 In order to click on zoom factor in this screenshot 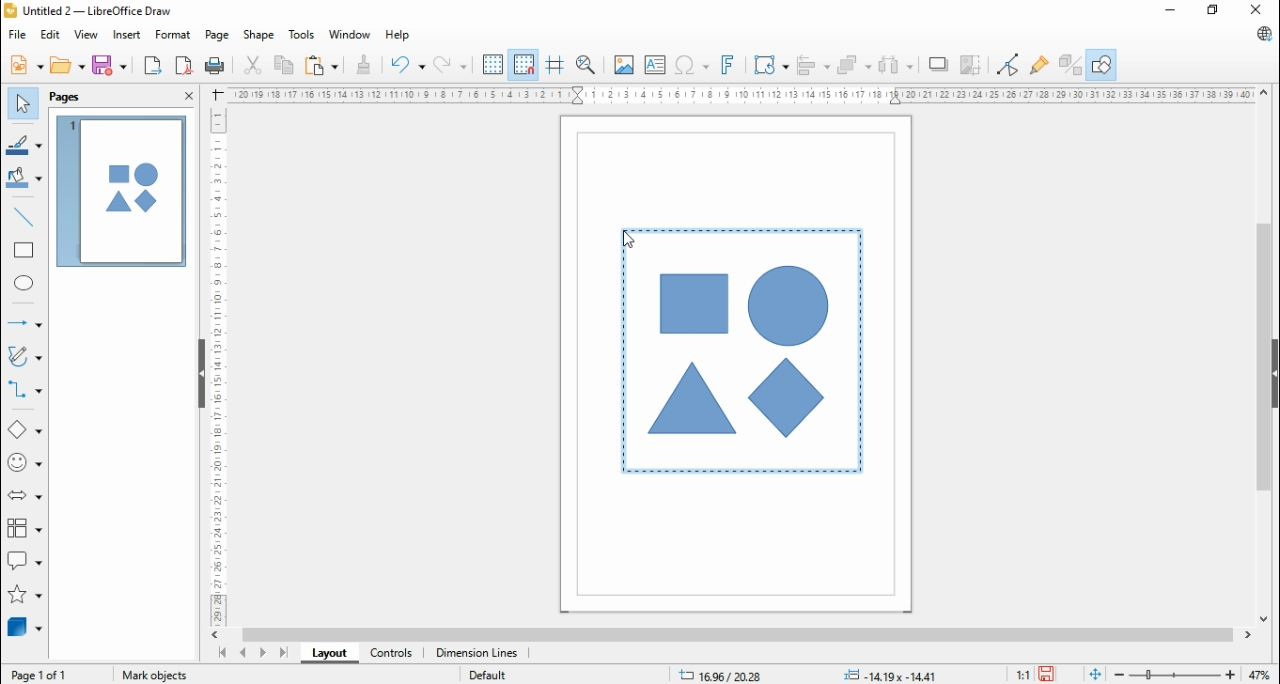, I will do `click(1260, 673)`.